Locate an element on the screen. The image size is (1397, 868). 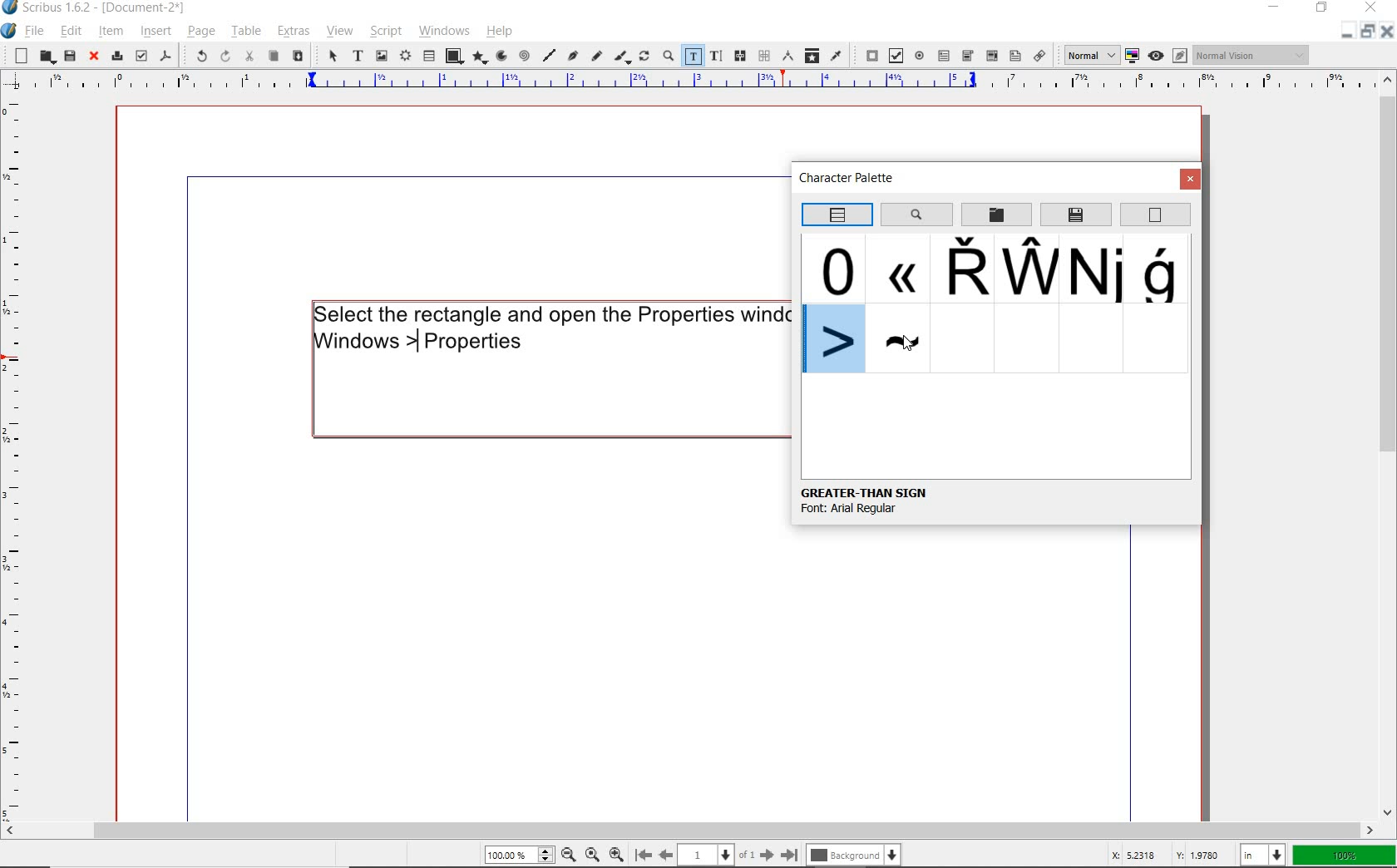
Background is located at coordinates (856, 853).